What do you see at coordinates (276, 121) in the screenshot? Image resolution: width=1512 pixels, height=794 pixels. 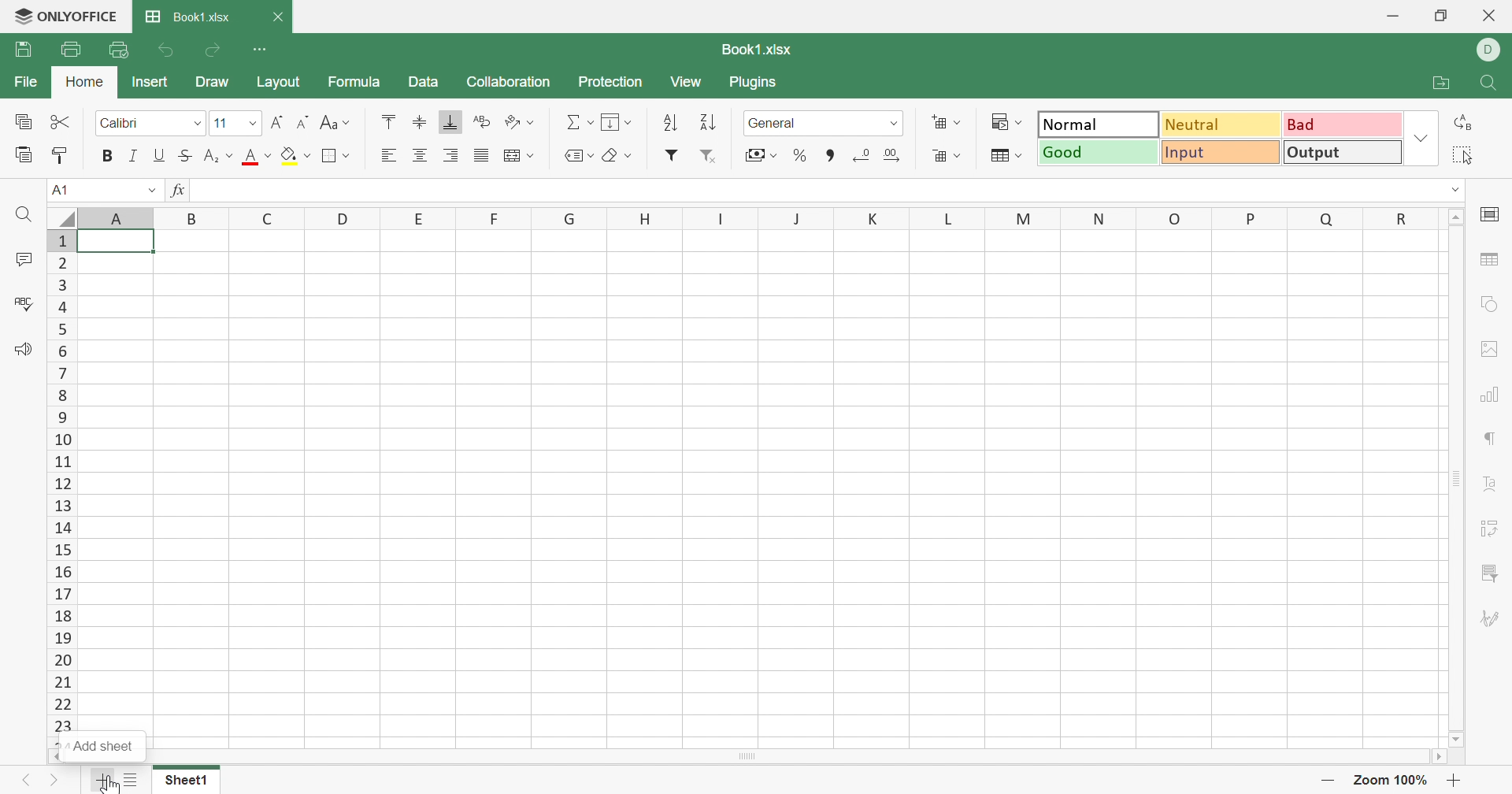 I see `Increment font size` at bounding box center [276, 121].